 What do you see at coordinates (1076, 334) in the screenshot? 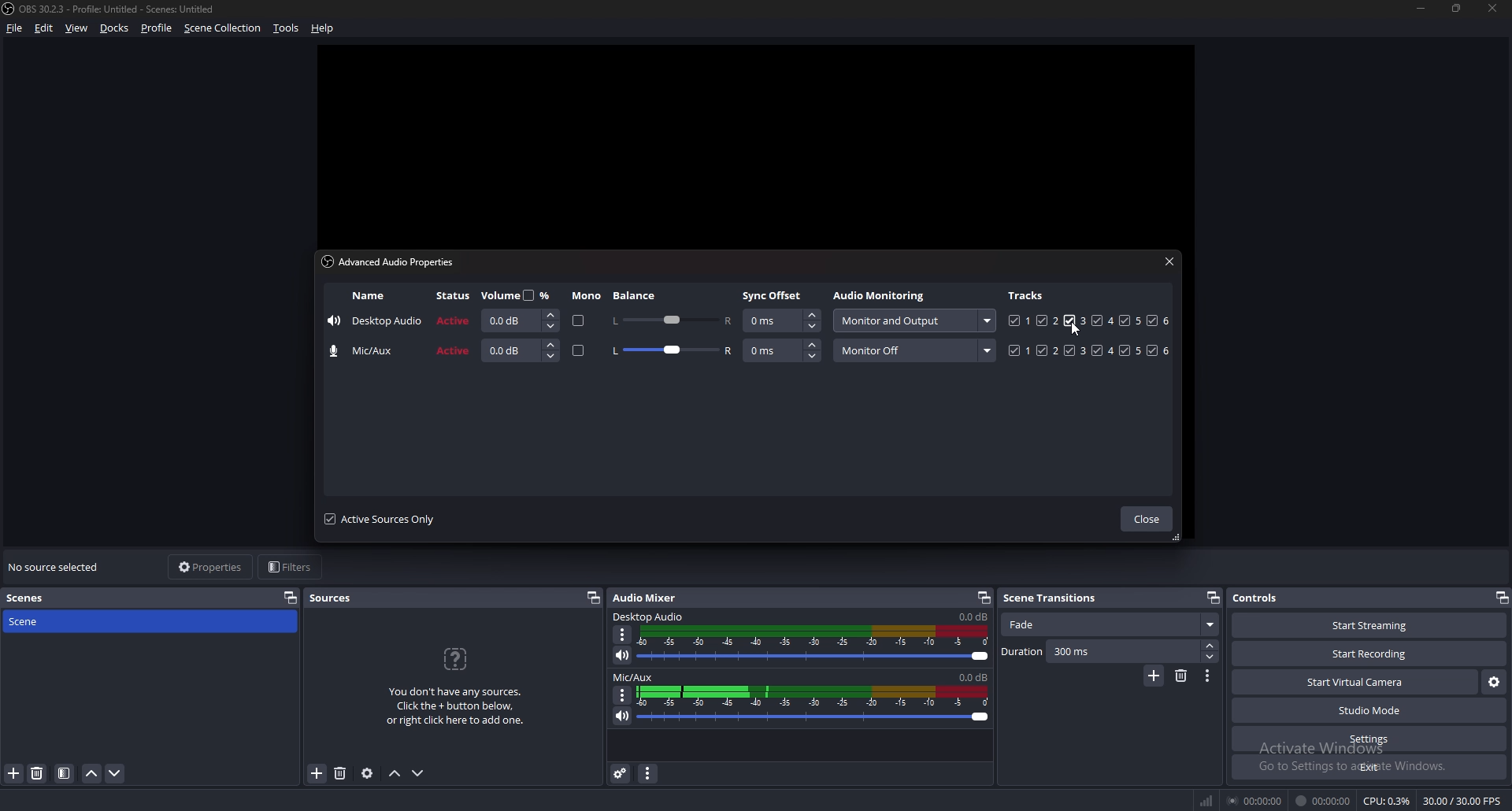
I see `cursor` at bounding box center [1076, 334].